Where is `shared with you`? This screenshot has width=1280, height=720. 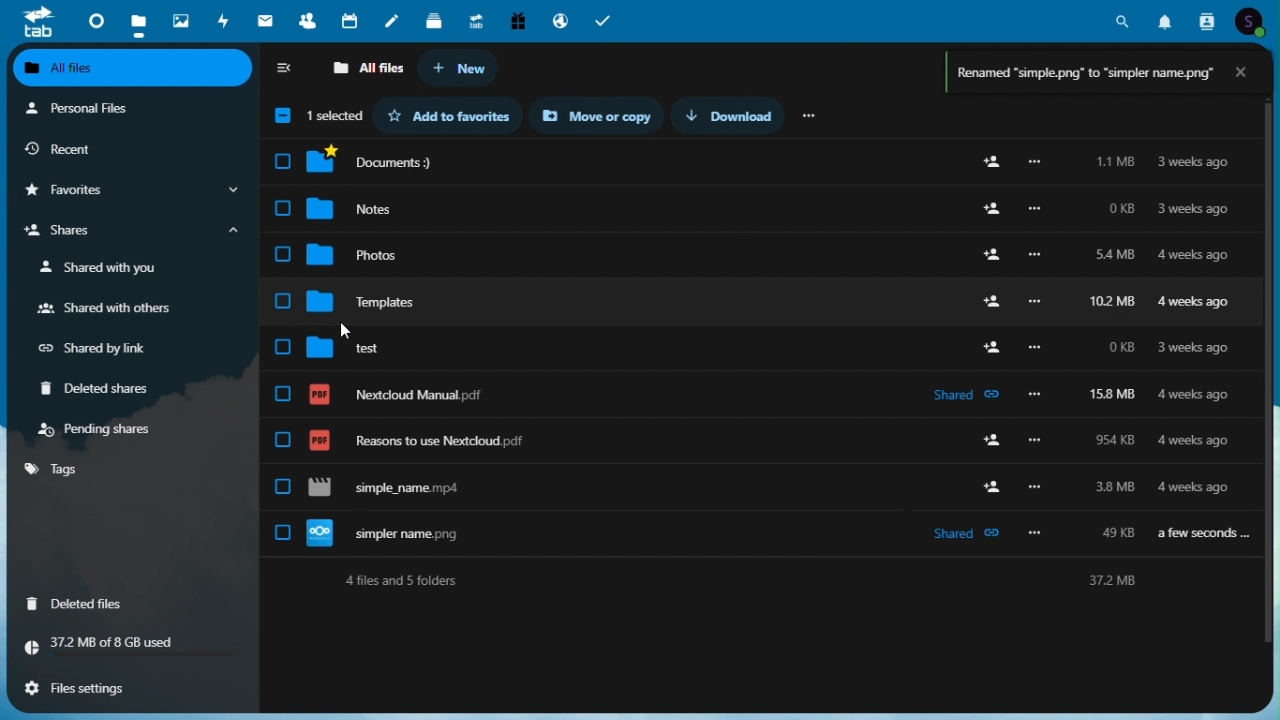
shared with you is located at coordinates (103, 268).